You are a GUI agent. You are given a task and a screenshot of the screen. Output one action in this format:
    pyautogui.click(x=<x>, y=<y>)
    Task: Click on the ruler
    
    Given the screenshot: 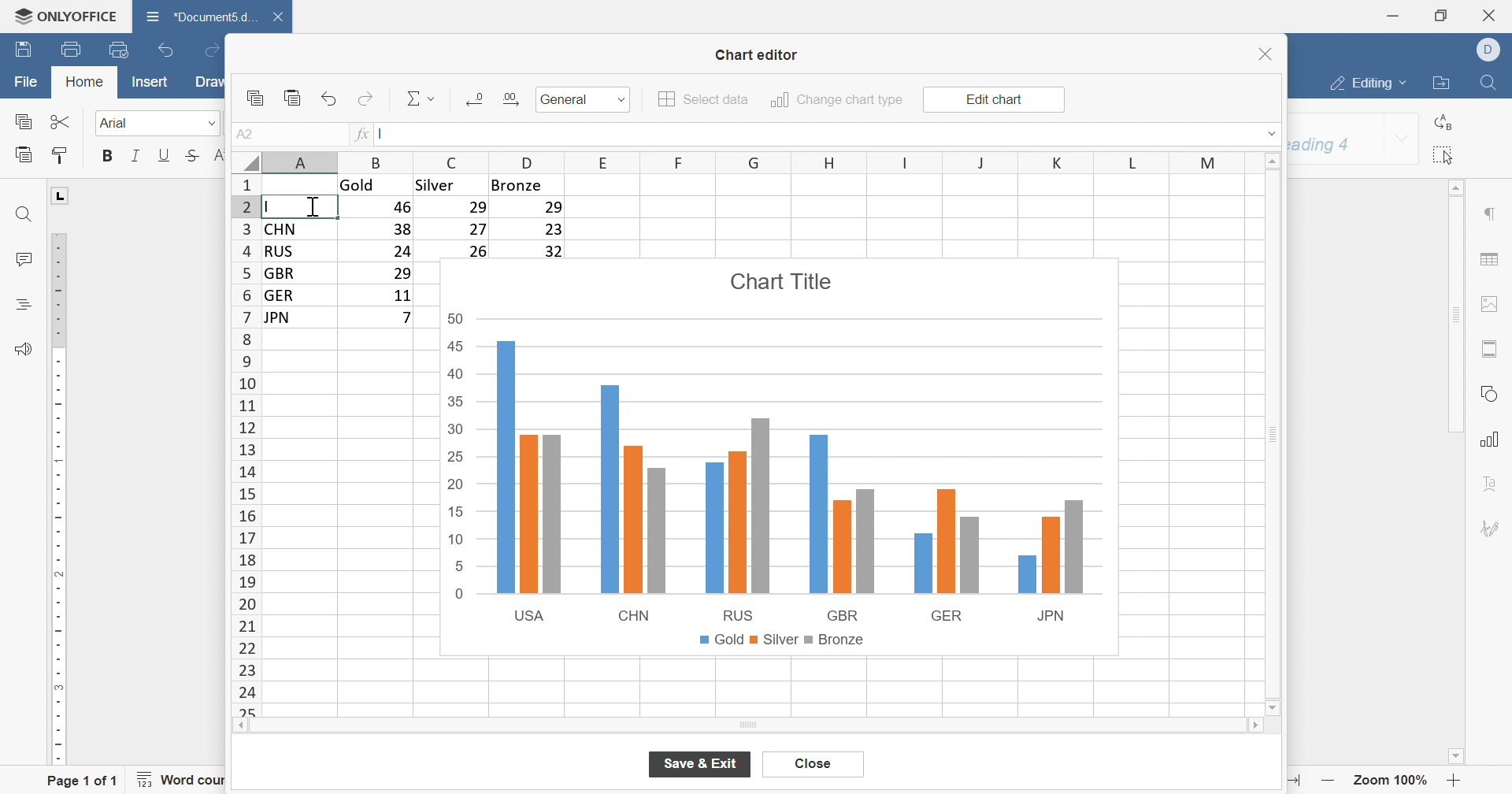 What is the action you would take?
    pyautogui.click(x=56, y=499)
    